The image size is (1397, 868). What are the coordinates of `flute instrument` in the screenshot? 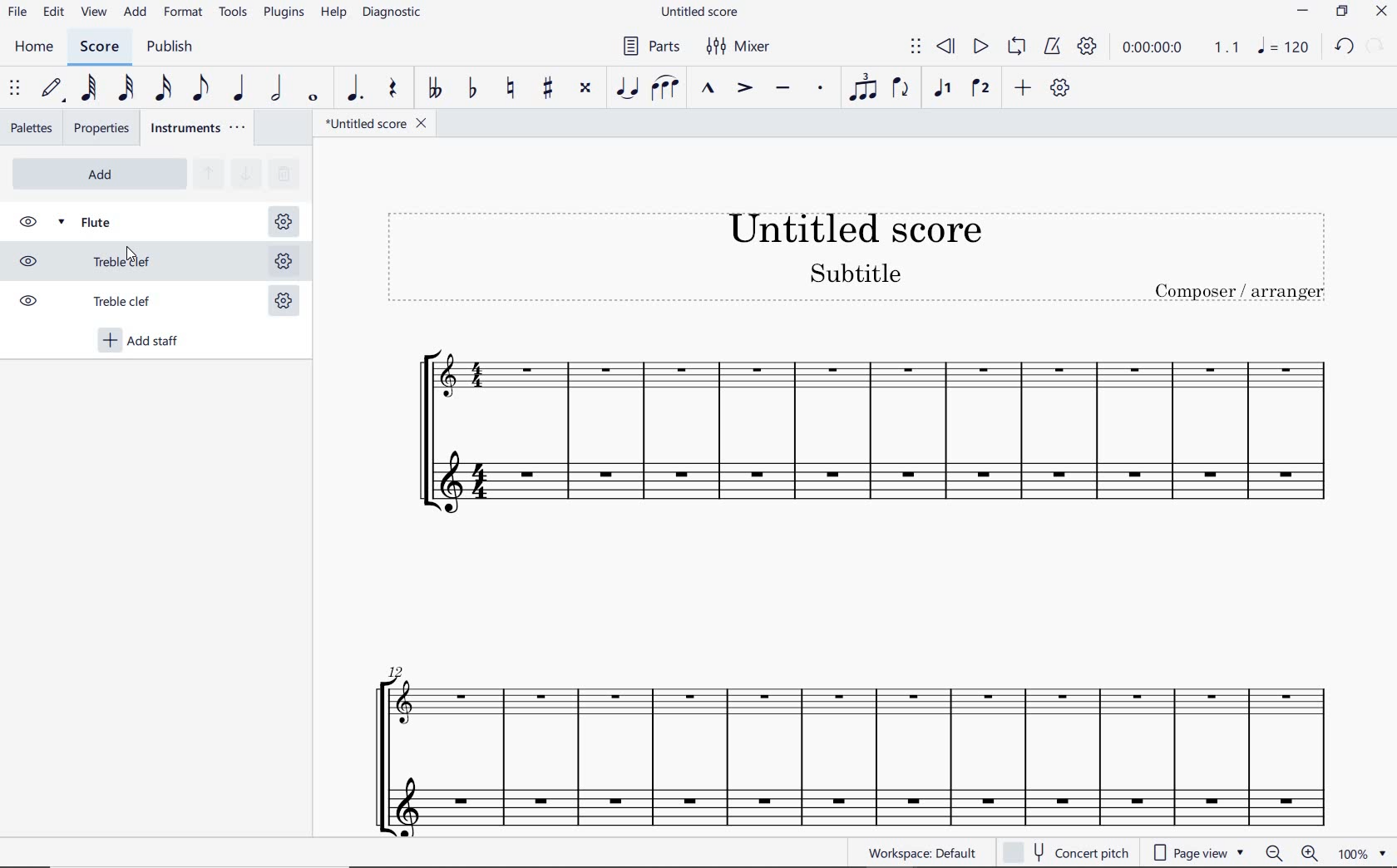 It's located at (842, 801).